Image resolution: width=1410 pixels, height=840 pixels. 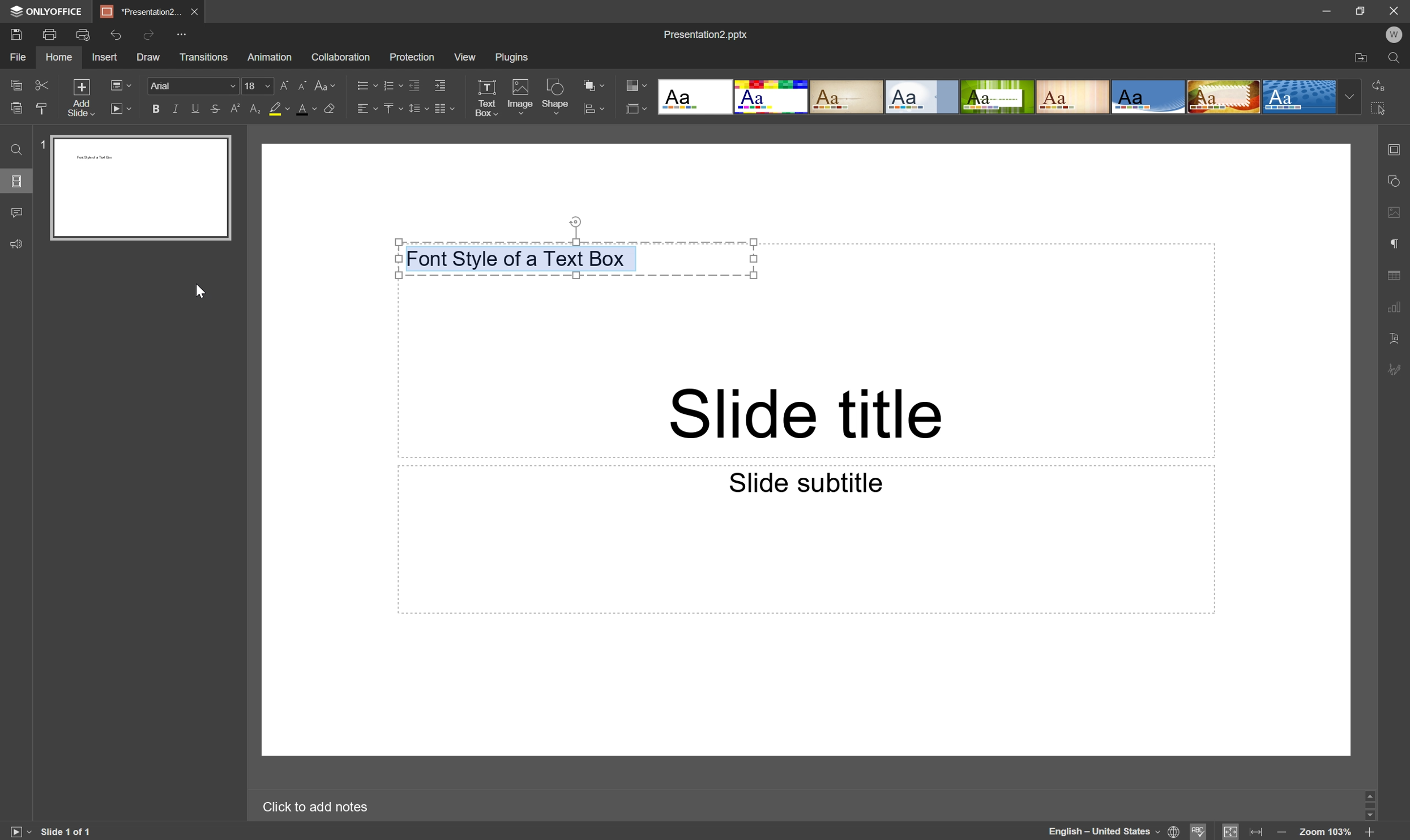 I want to click on Presentation2.pptx, so click(x=707, y=34).